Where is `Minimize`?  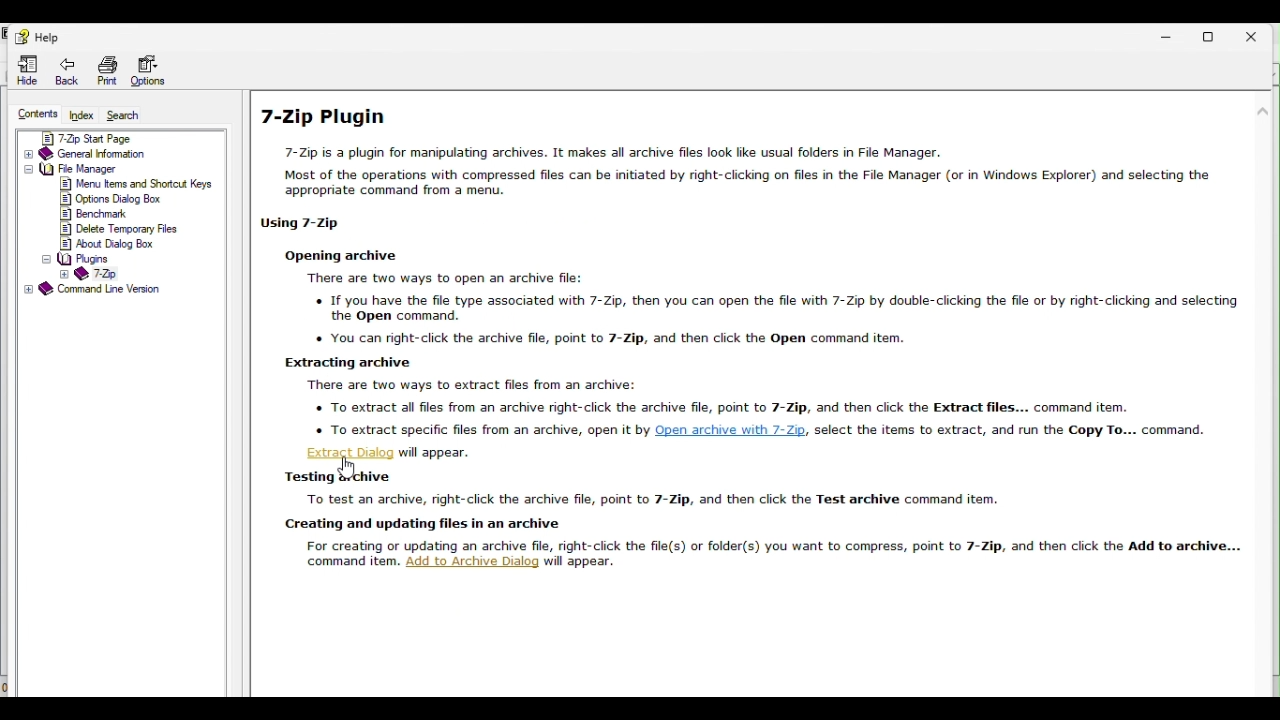
Minimize is located at coordinates (1167, 35).